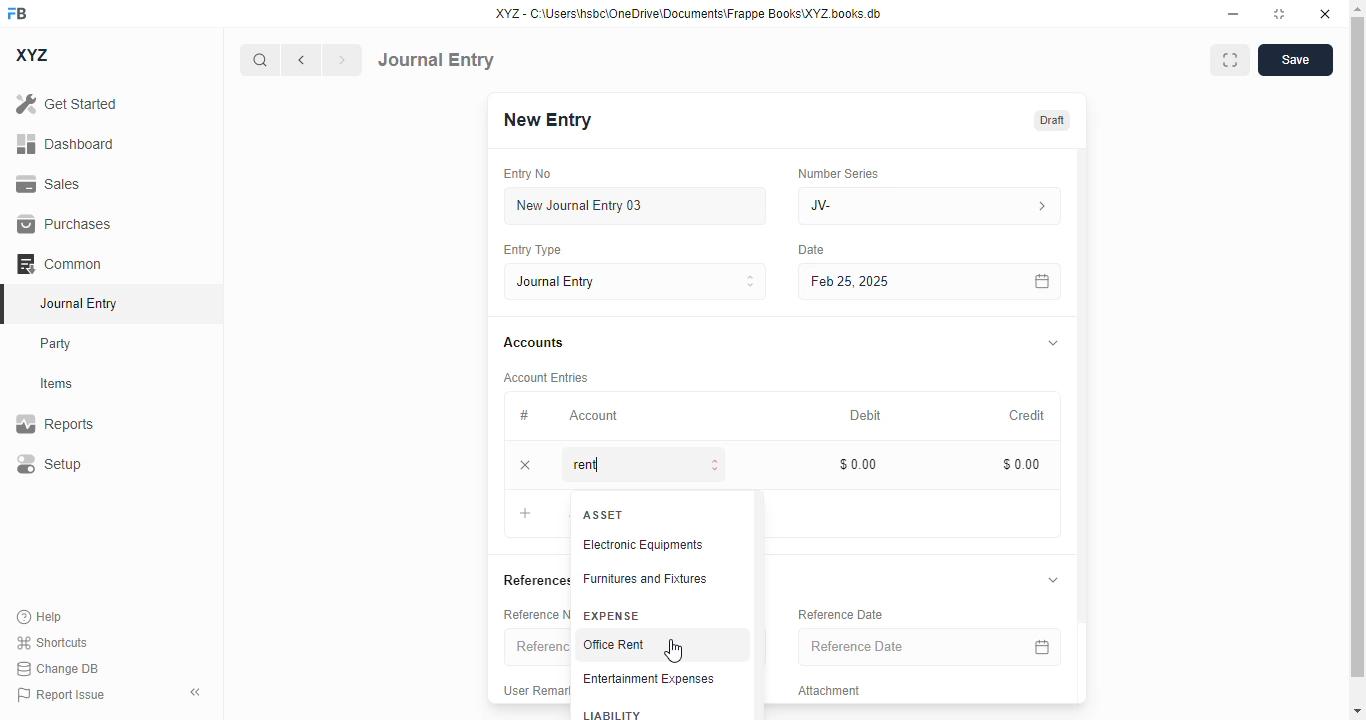 This screenshot has height=720, width=1366. Describe the element at coordinates (1358, 712) in the screenshot. I see `scroll down` at that location.